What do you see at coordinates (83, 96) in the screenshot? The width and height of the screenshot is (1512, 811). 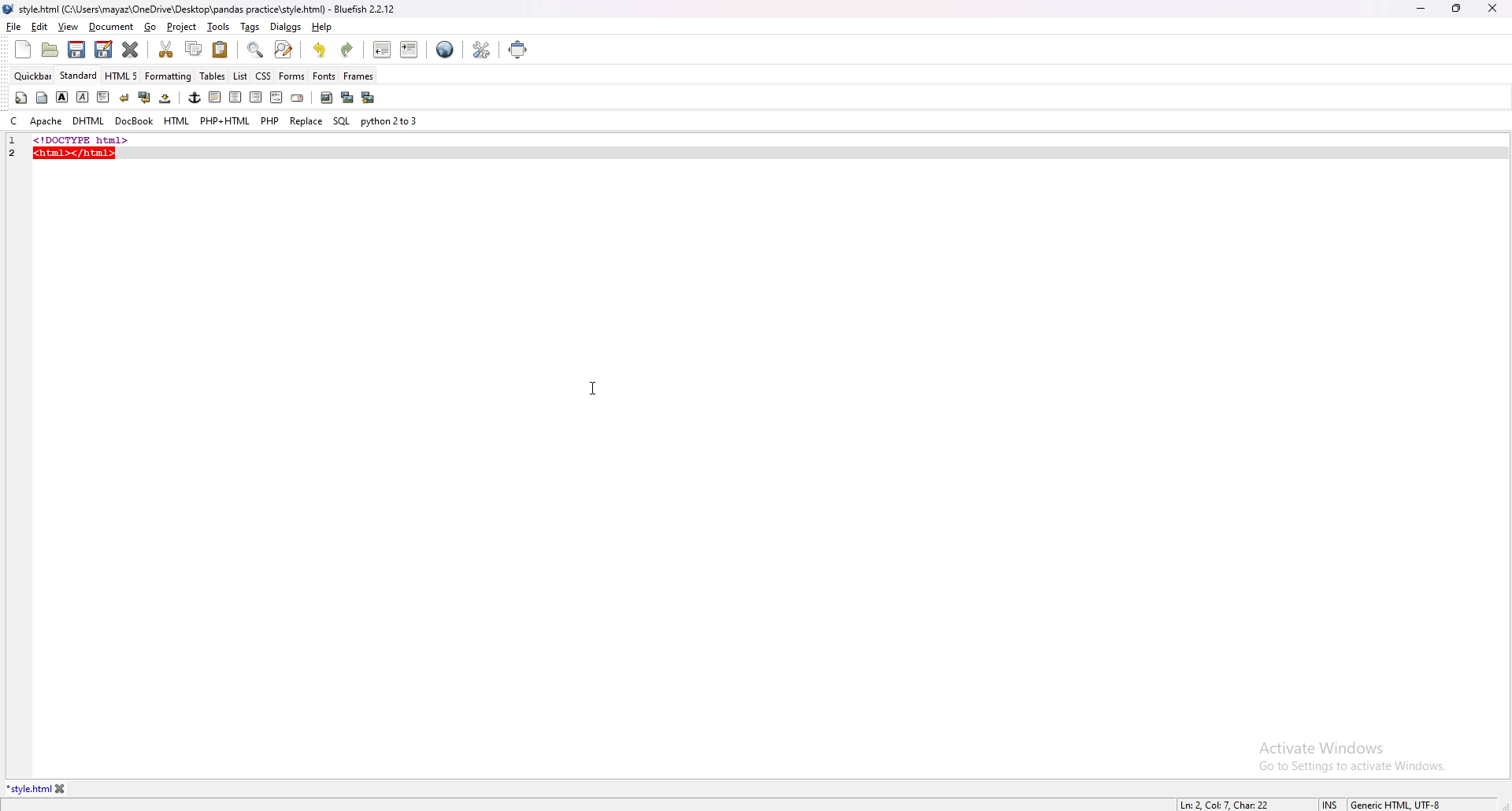 I see `italic` at bounding box center [83, 96].